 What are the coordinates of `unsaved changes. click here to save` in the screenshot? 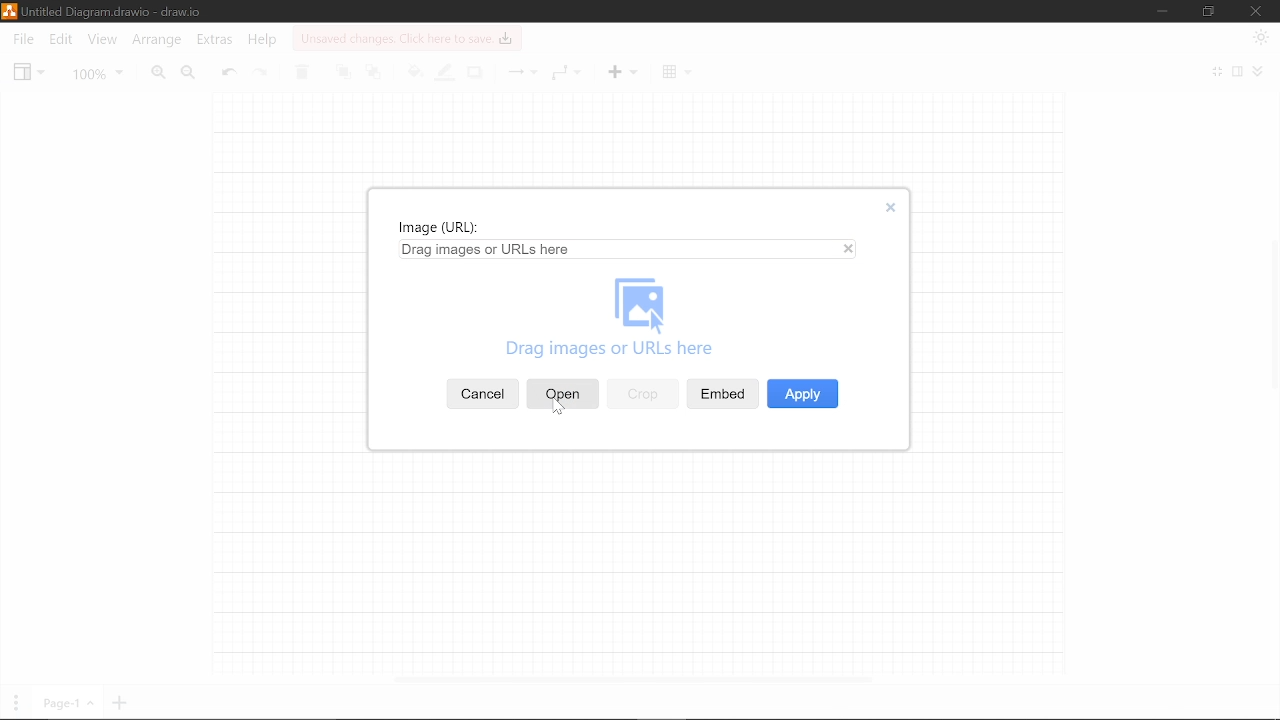 It's located at (406, 38).